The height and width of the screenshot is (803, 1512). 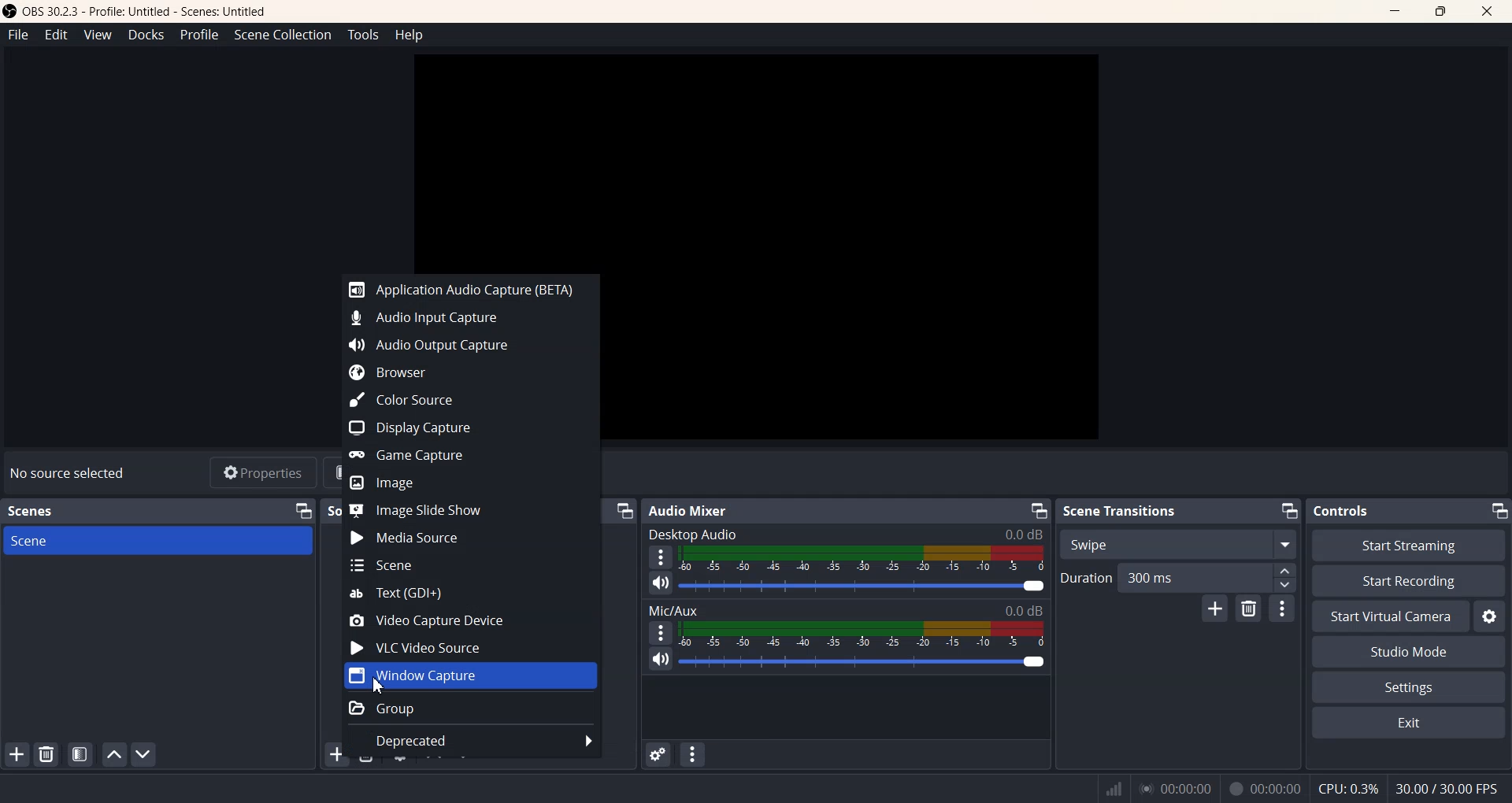 I want to click on Volume Indicator, so click(x=862, y=635).